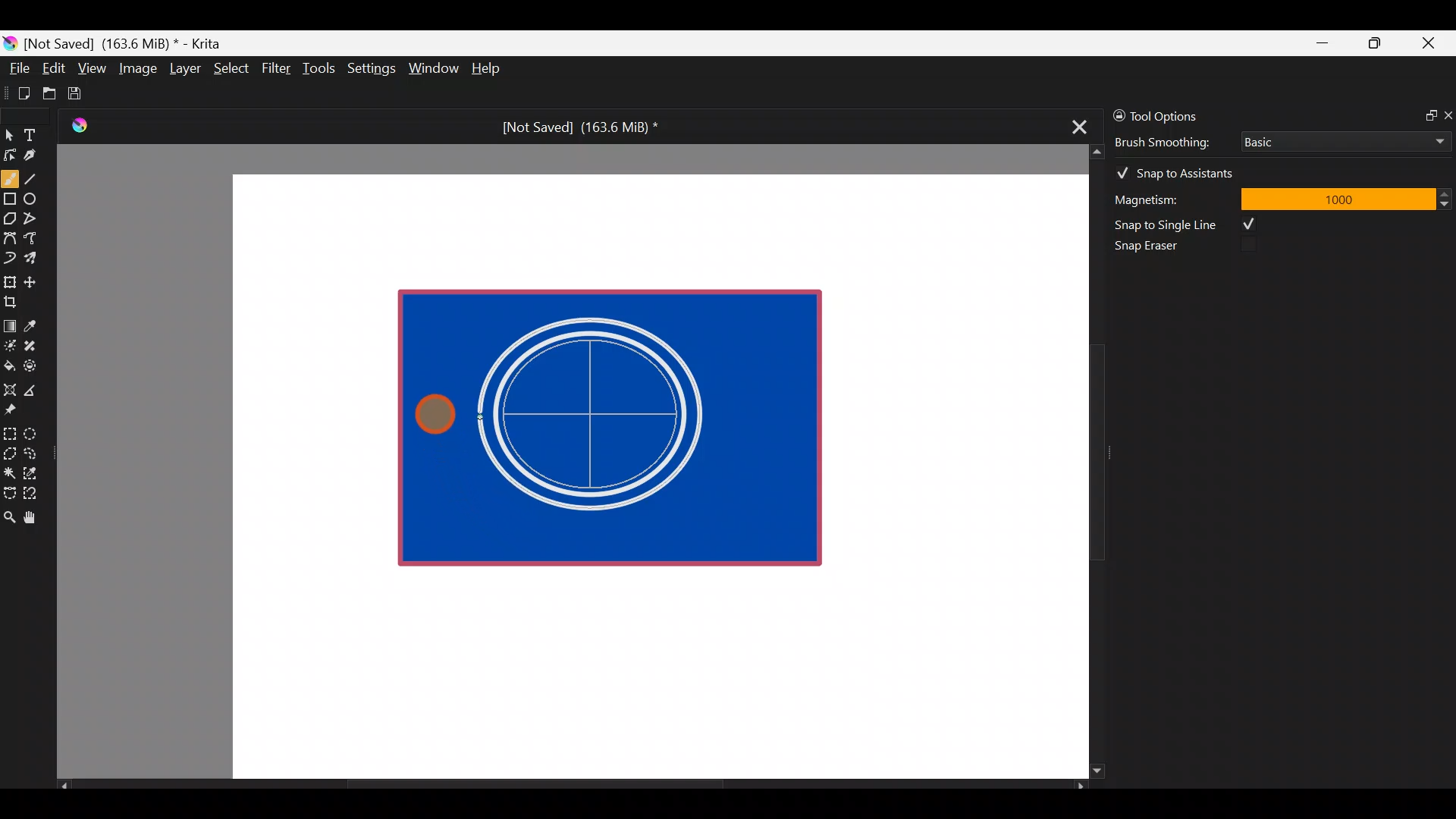  I want to click on File, so click(15, 71).